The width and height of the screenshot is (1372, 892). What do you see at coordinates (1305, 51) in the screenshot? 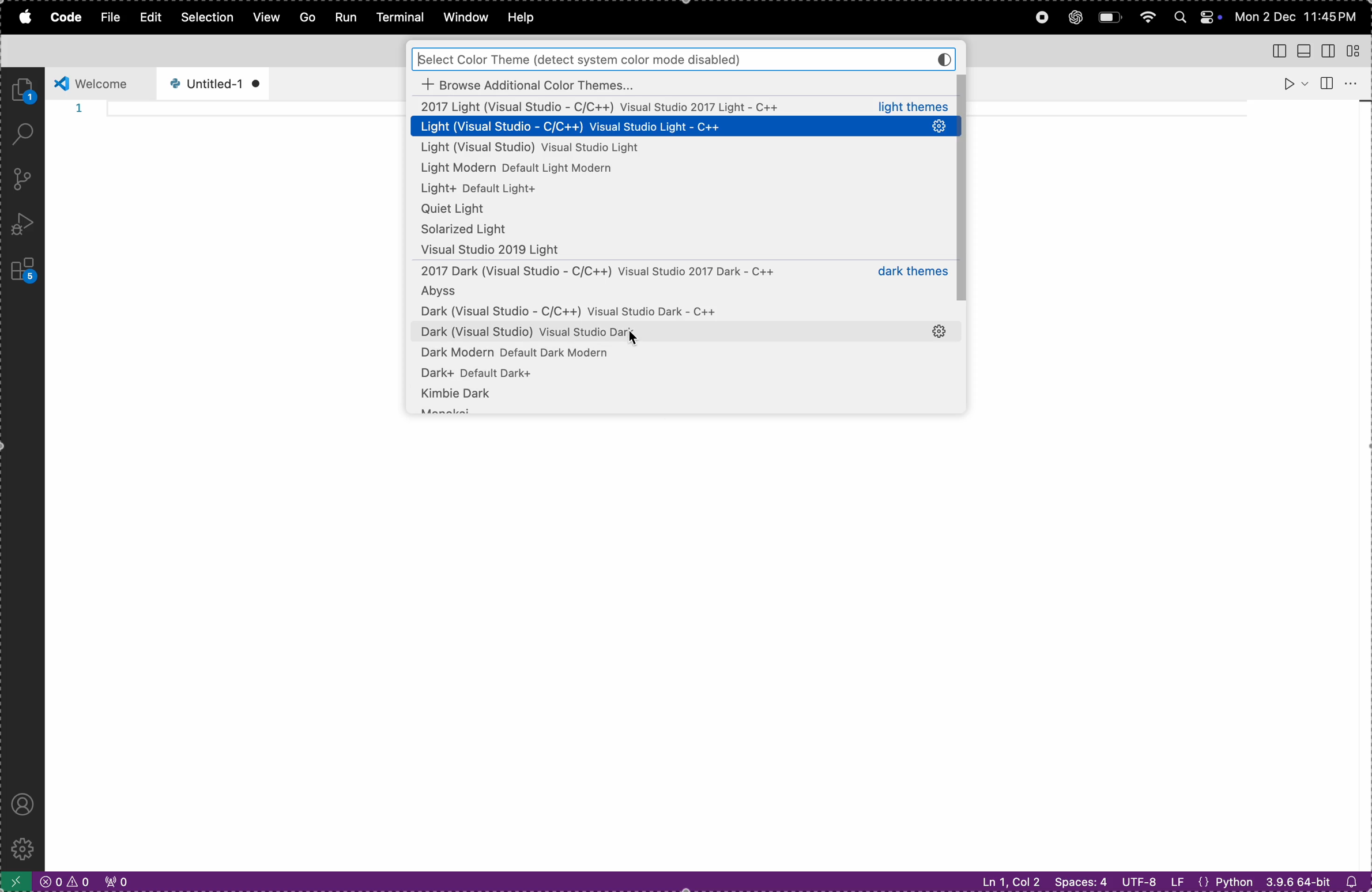
I see `toggle panel` at bounding box center [1305, 51].